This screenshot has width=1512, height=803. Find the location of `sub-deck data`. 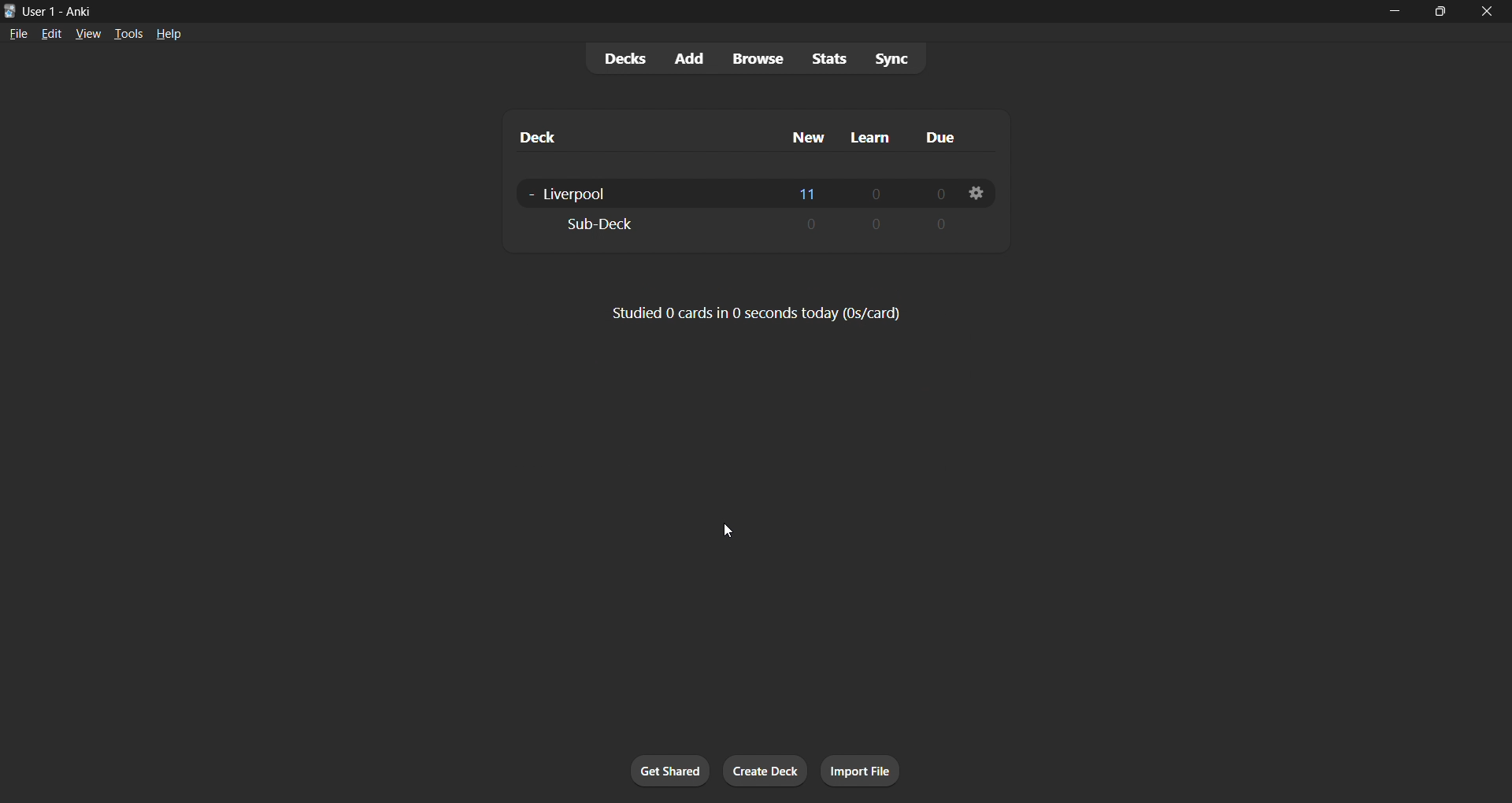

sub-deck data is located at coordinates (747, 224).